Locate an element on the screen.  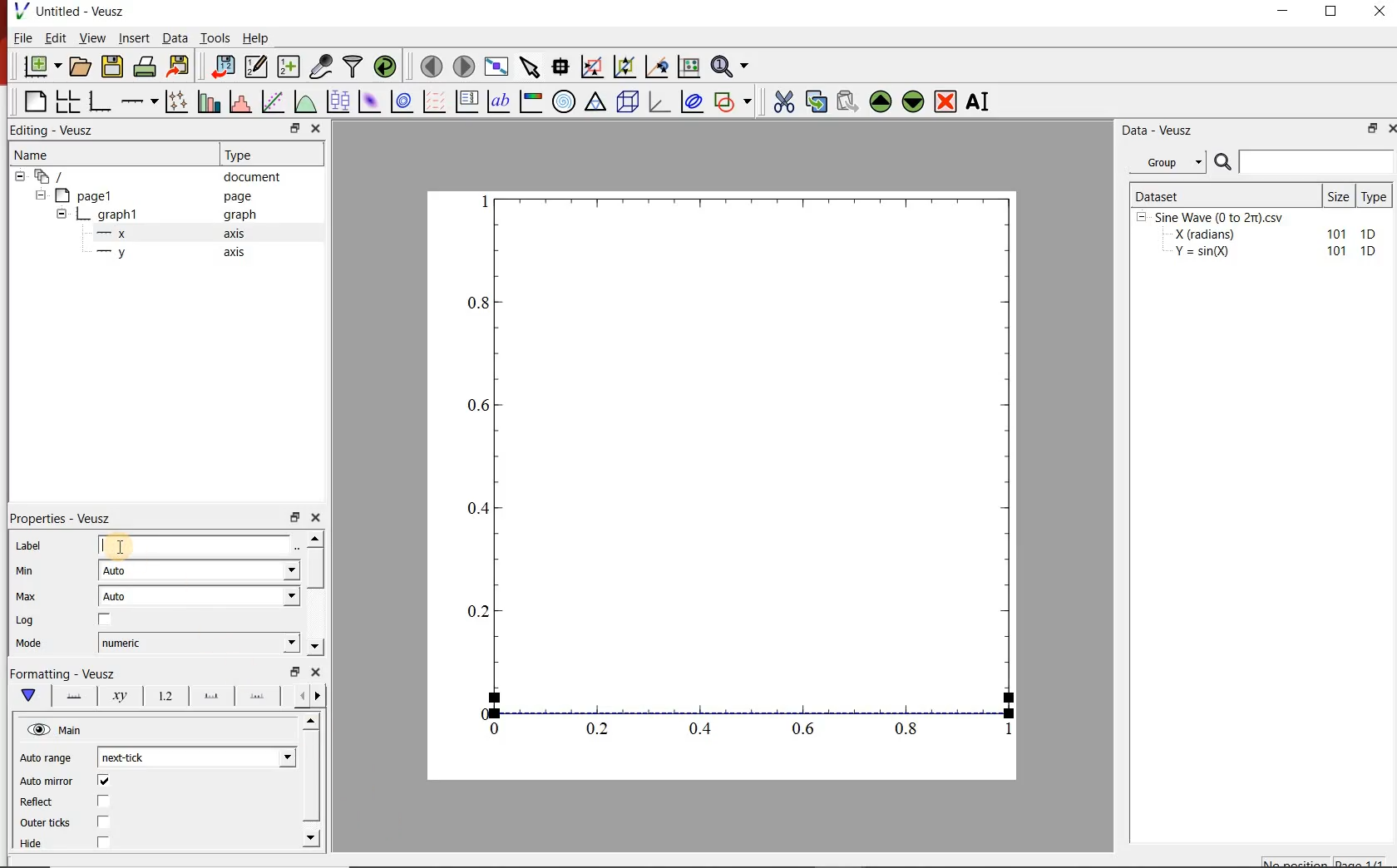
Data - Veusz is located at coordinates (1160, 131).